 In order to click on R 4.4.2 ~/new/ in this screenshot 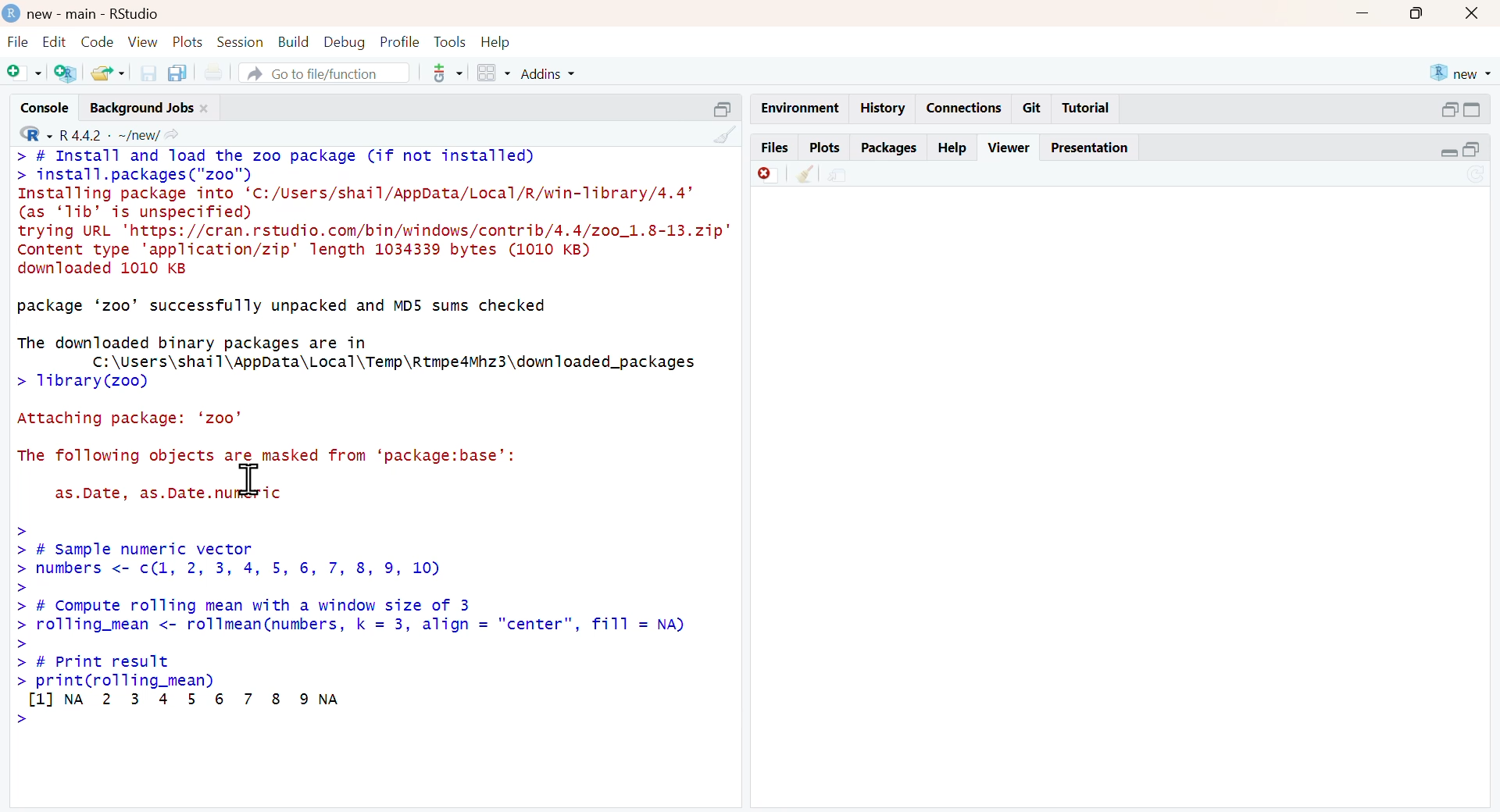, I will do `click(111, 134)`.